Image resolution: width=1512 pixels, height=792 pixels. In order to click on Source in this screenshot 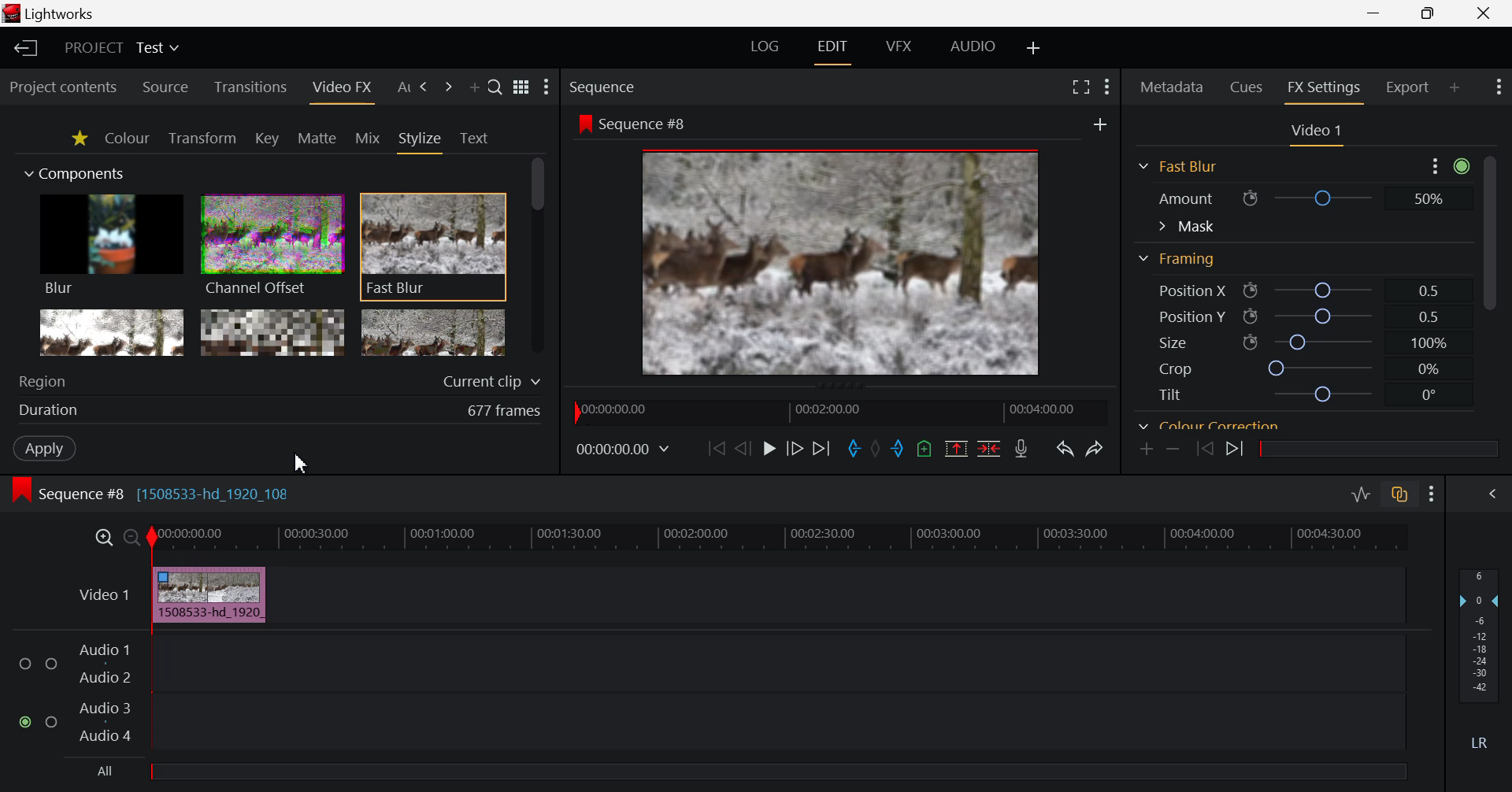, I will do `click(173, 86)`.